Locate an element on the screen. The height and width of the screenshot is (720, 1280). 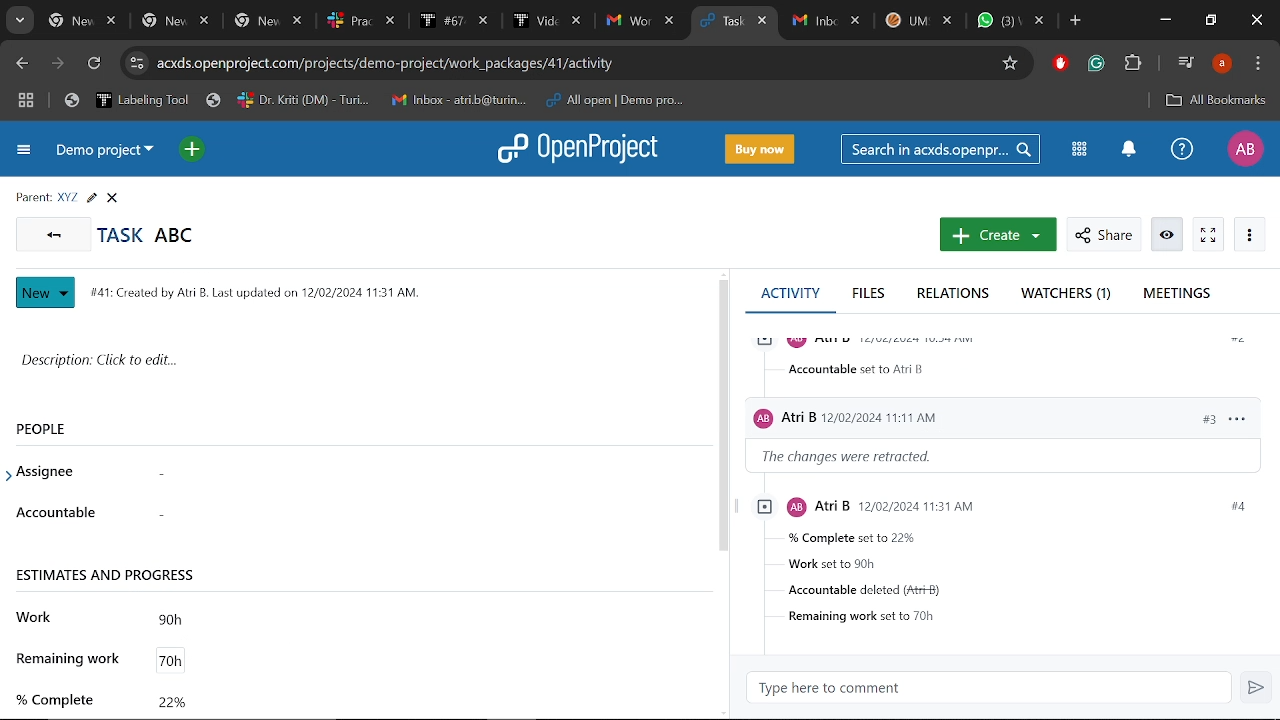
Nwe is located at coordinates (46, 293).